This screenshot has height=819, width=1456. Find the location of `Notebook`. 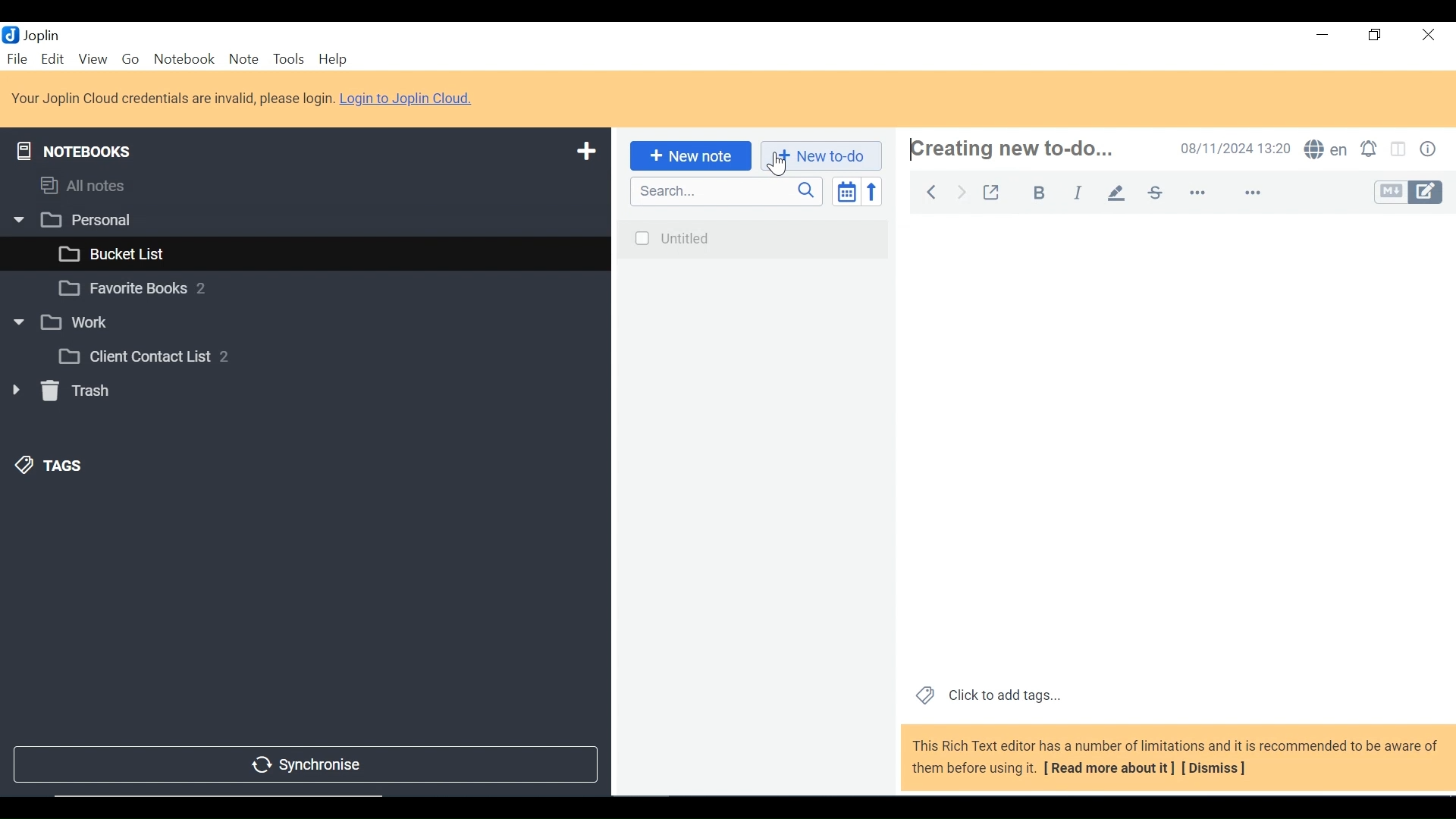

Notebook is located at coordinates (301, 290).